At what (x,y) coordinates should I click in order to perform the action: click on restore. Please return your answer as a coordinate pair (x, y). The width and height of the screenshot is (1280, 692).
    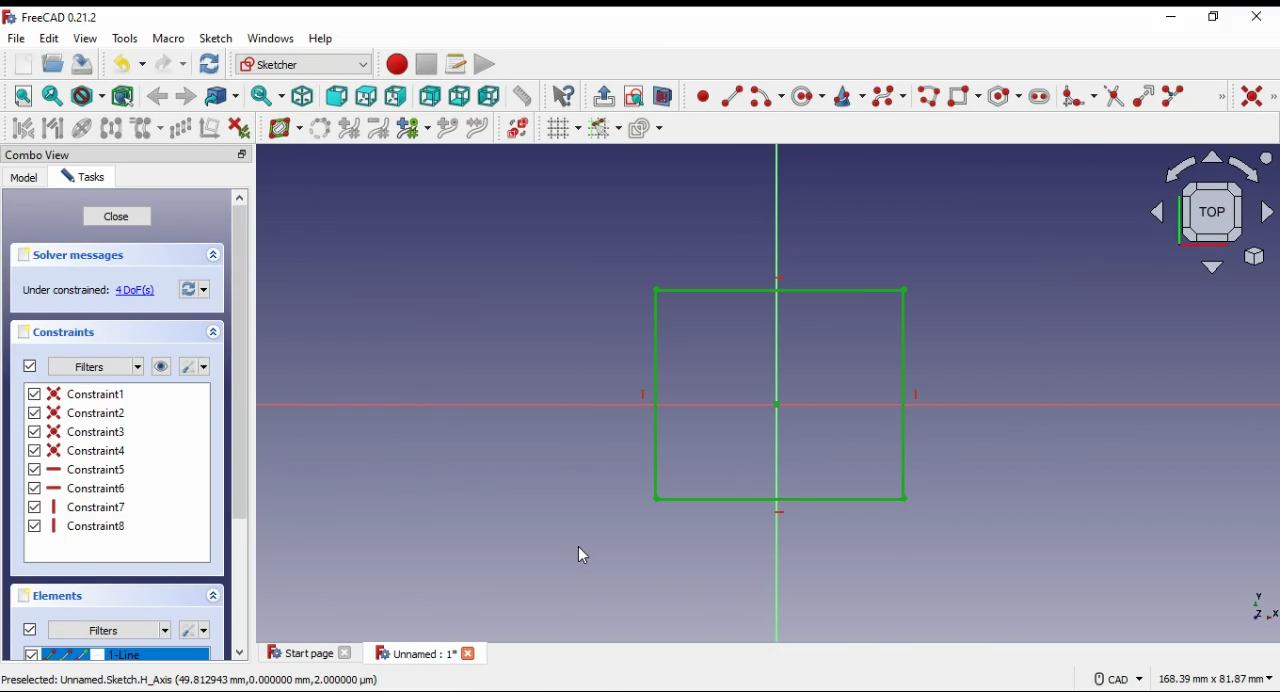
    Looking at the image, I should click on (1217, 17).